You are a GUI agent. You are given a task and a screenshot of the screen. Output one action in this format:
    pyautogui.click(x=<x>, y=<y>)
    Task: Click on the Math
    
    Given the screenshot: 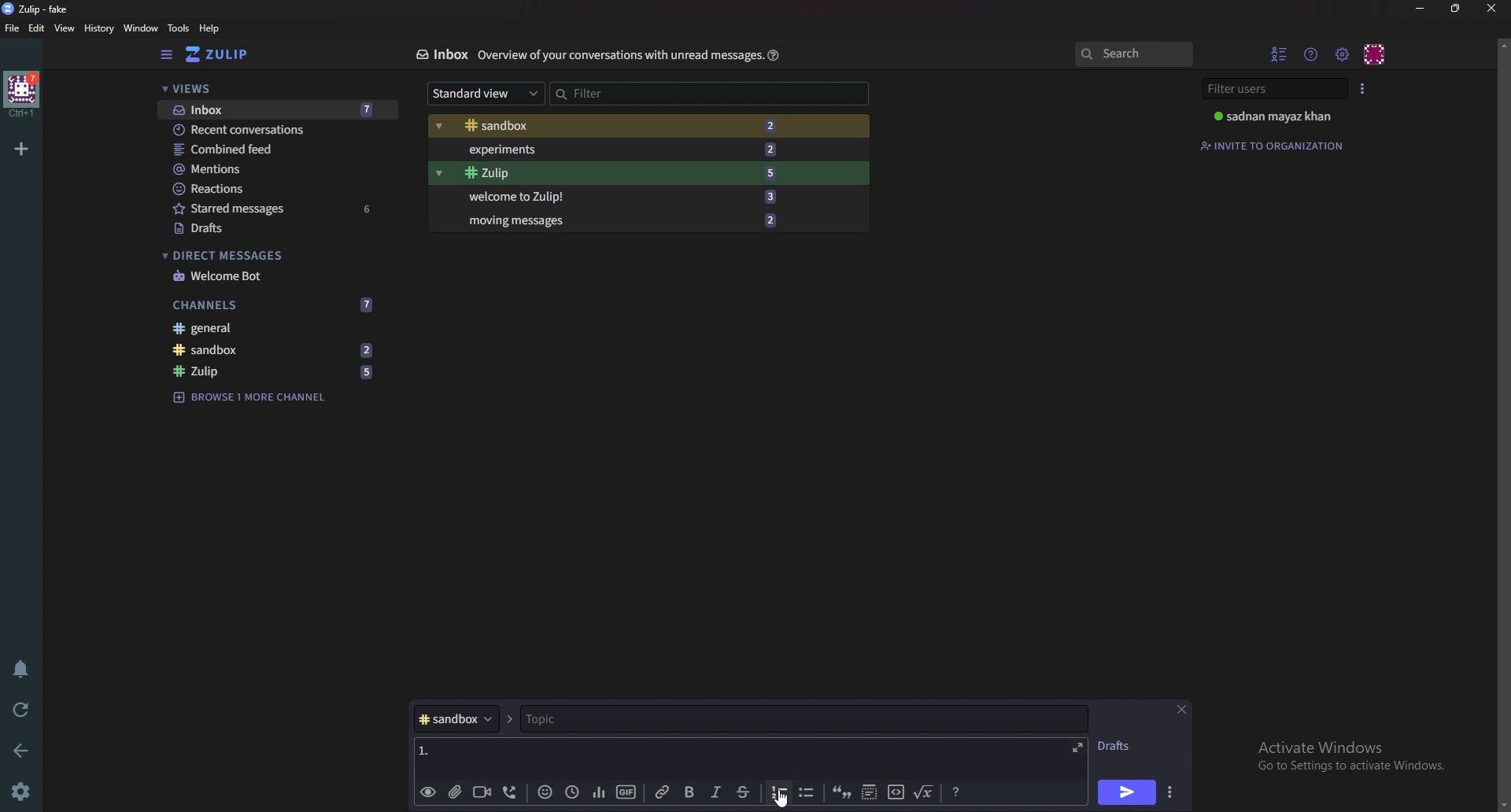 What is the action you would take?
    pyautogui.click(x=925, y=792)
    